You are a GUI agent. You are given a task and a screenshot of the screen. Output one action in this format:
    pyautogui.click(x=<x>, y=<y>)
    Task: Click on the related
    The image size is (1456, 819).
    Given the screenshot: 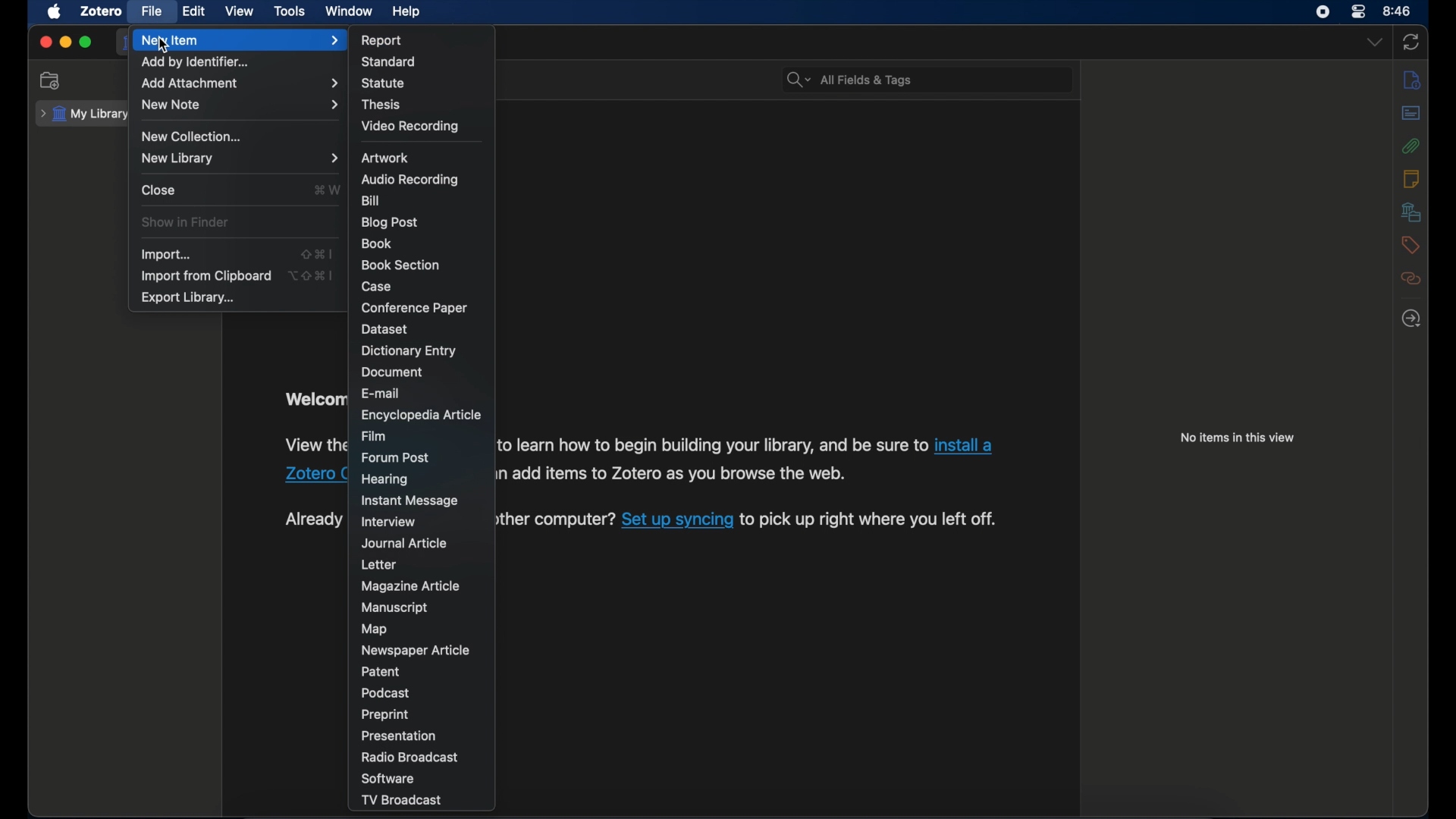 What is the action you would take?
    pyautogui.click(x=1411, y=278)
    